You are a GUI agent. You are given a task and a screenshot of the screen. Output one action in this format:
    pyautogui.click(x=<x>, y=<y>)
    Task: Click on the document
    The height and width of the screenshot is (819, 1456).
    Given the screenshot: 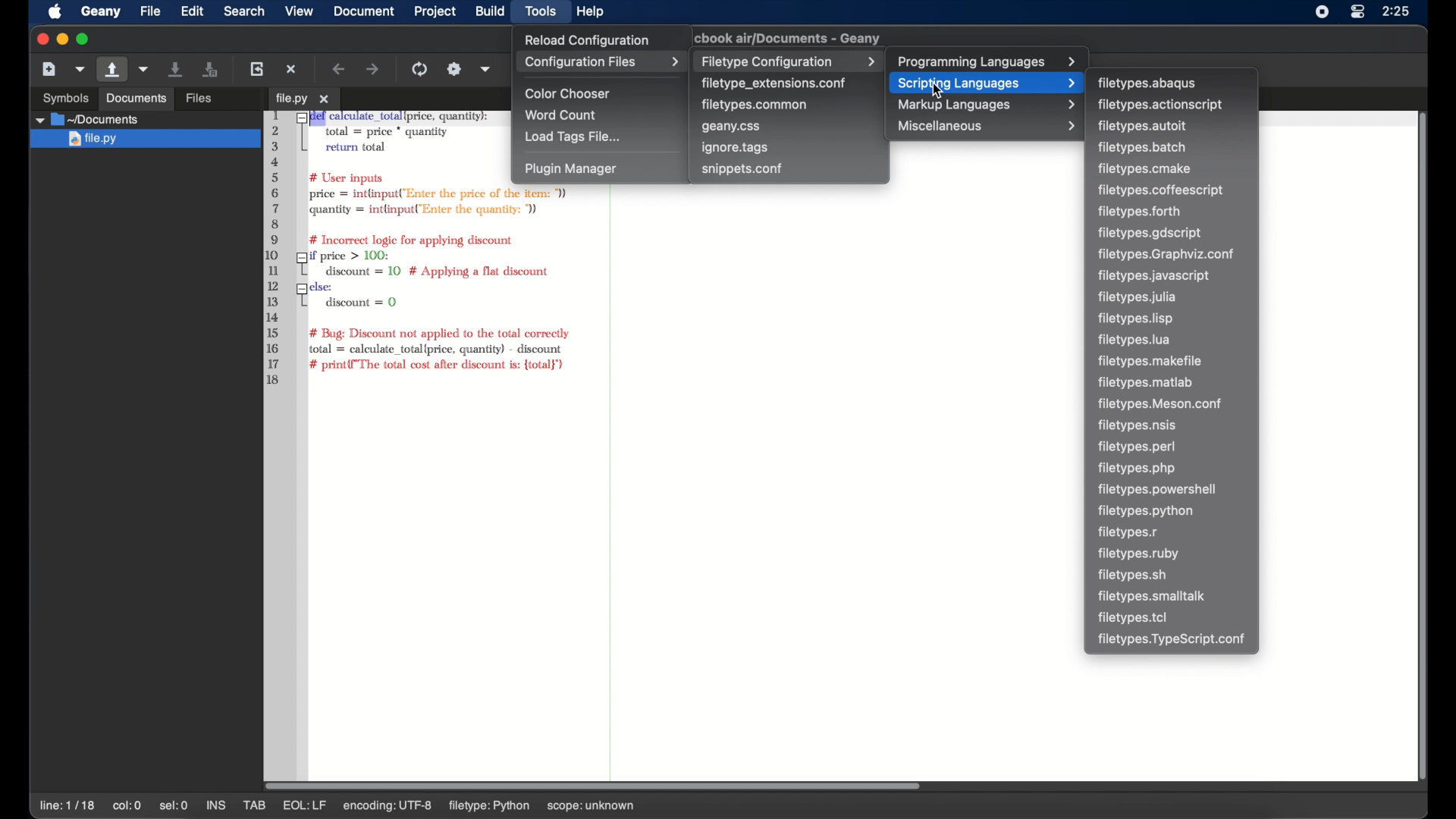 What is the action you would take?
    pyautogui.click(x=362, y=11)
    